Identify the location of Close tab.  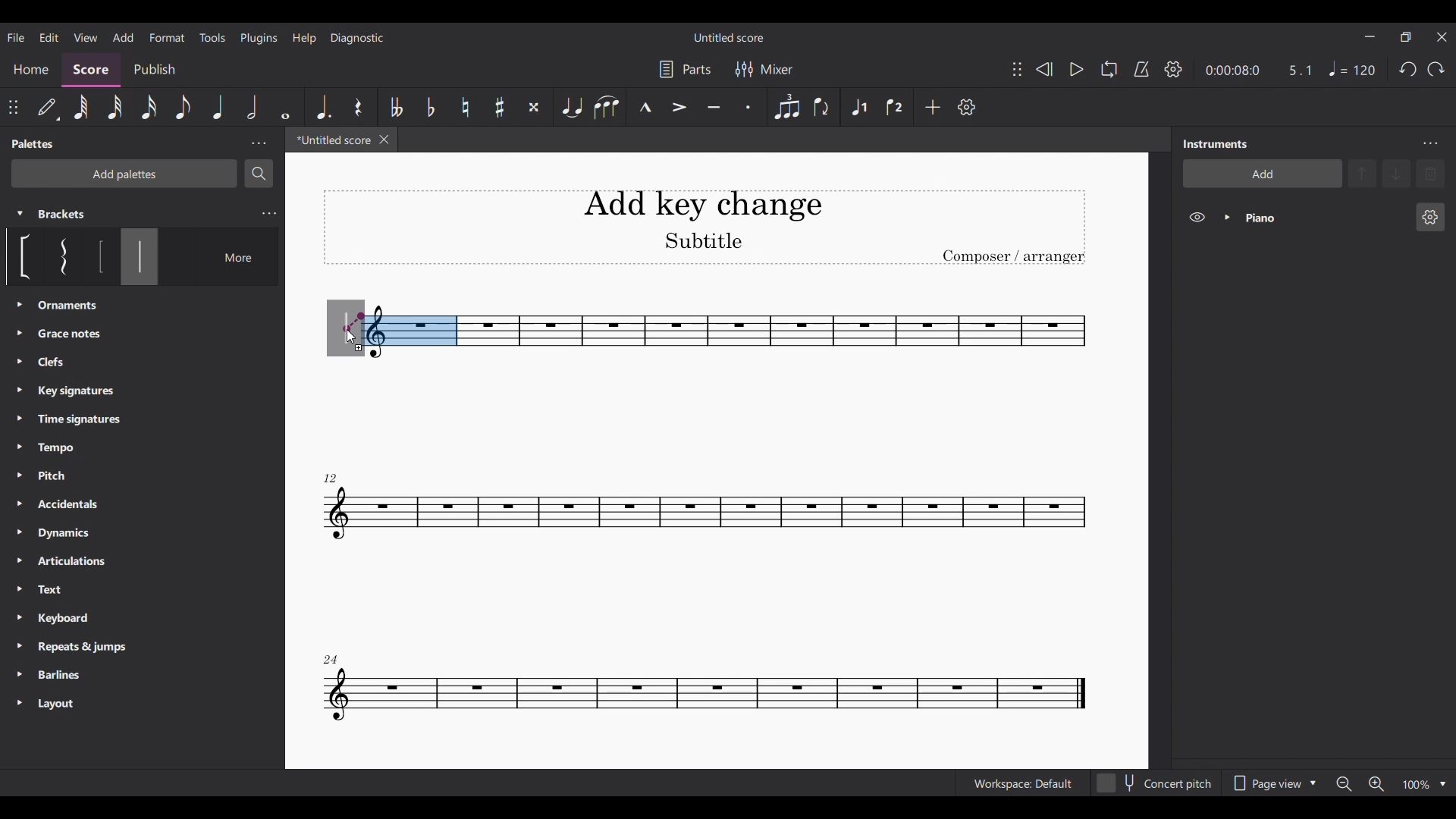
(384, 140).